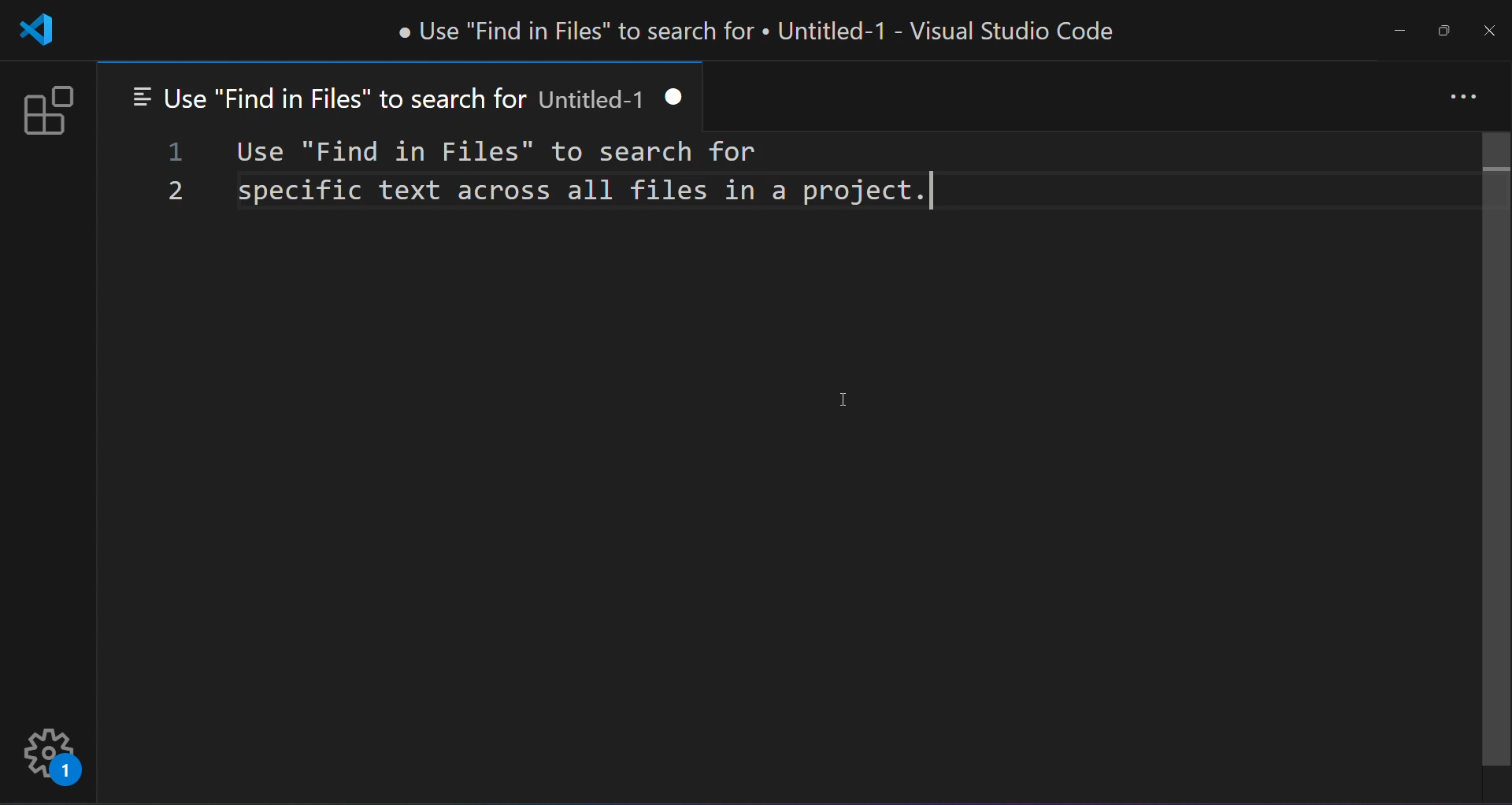 This screenshot has width=1512, height=805. What do you see at coordinates (1489, 31) in the screenshot?
I see `close` at bounding box center [1489, 31].